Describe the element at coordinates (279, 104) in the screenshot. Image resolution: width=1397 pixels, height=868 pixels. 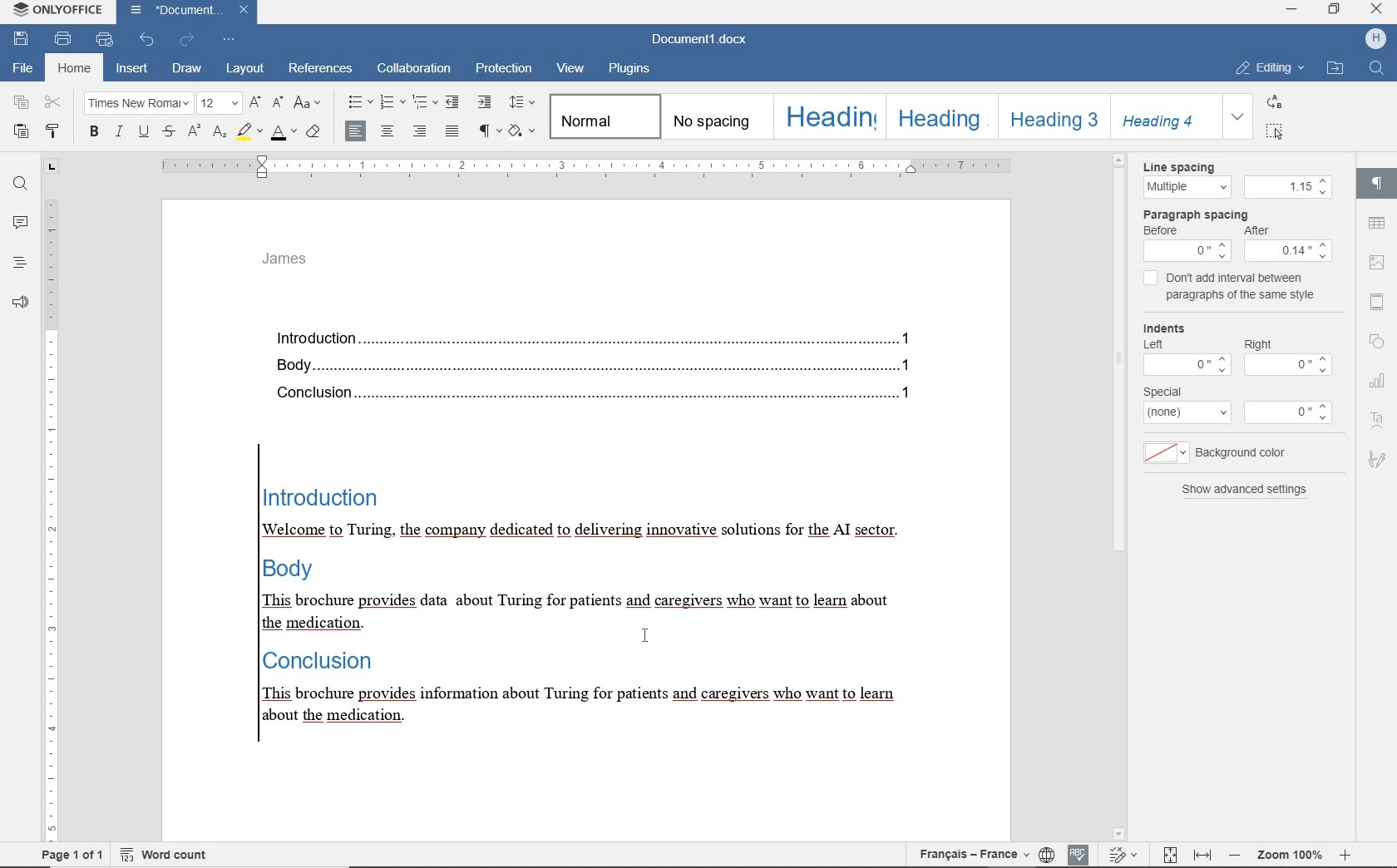
I see `decrement font size` at that location.